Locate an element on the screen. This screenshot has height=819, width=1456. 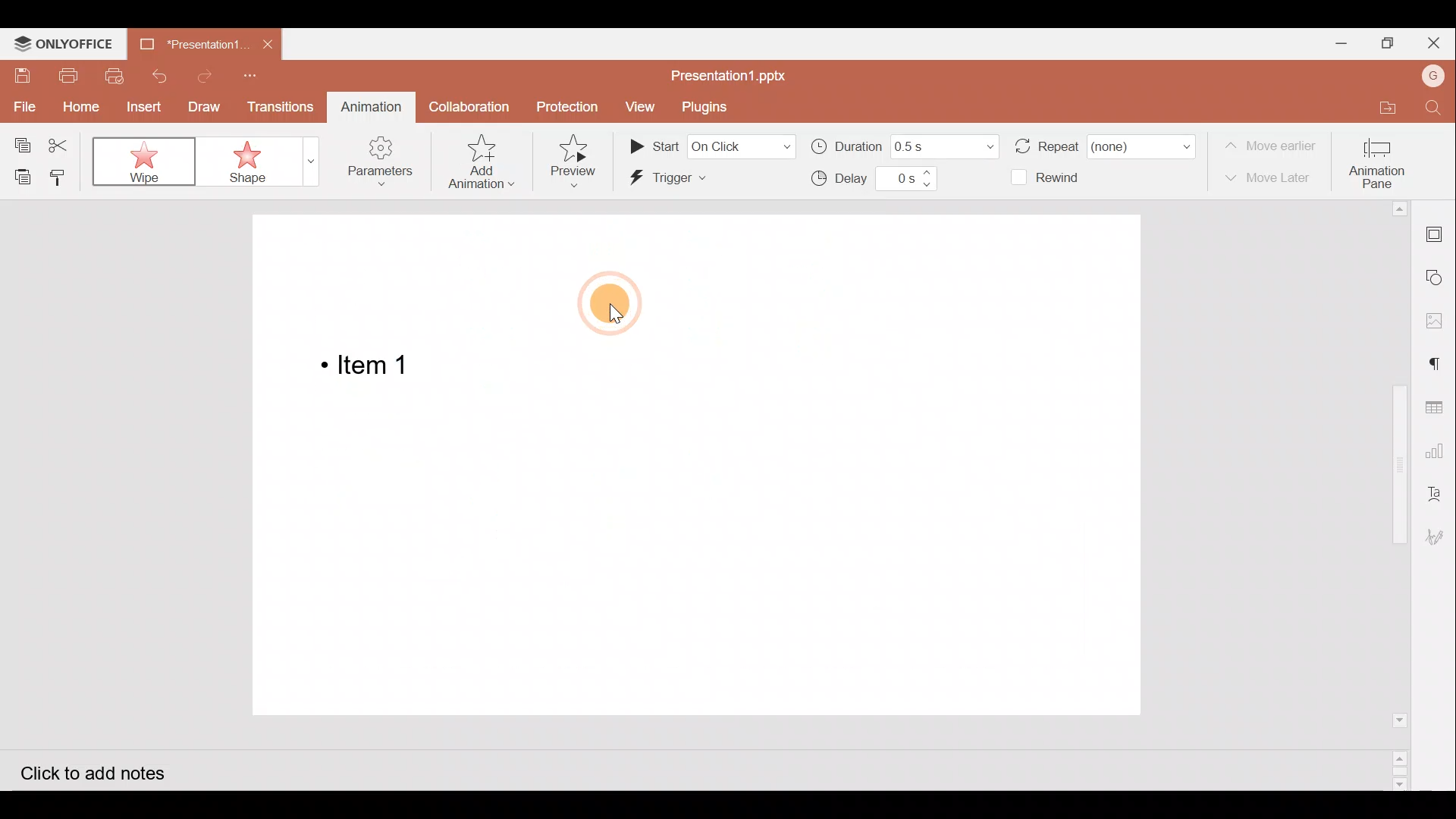
Insert is located at coordinates (140, 105).